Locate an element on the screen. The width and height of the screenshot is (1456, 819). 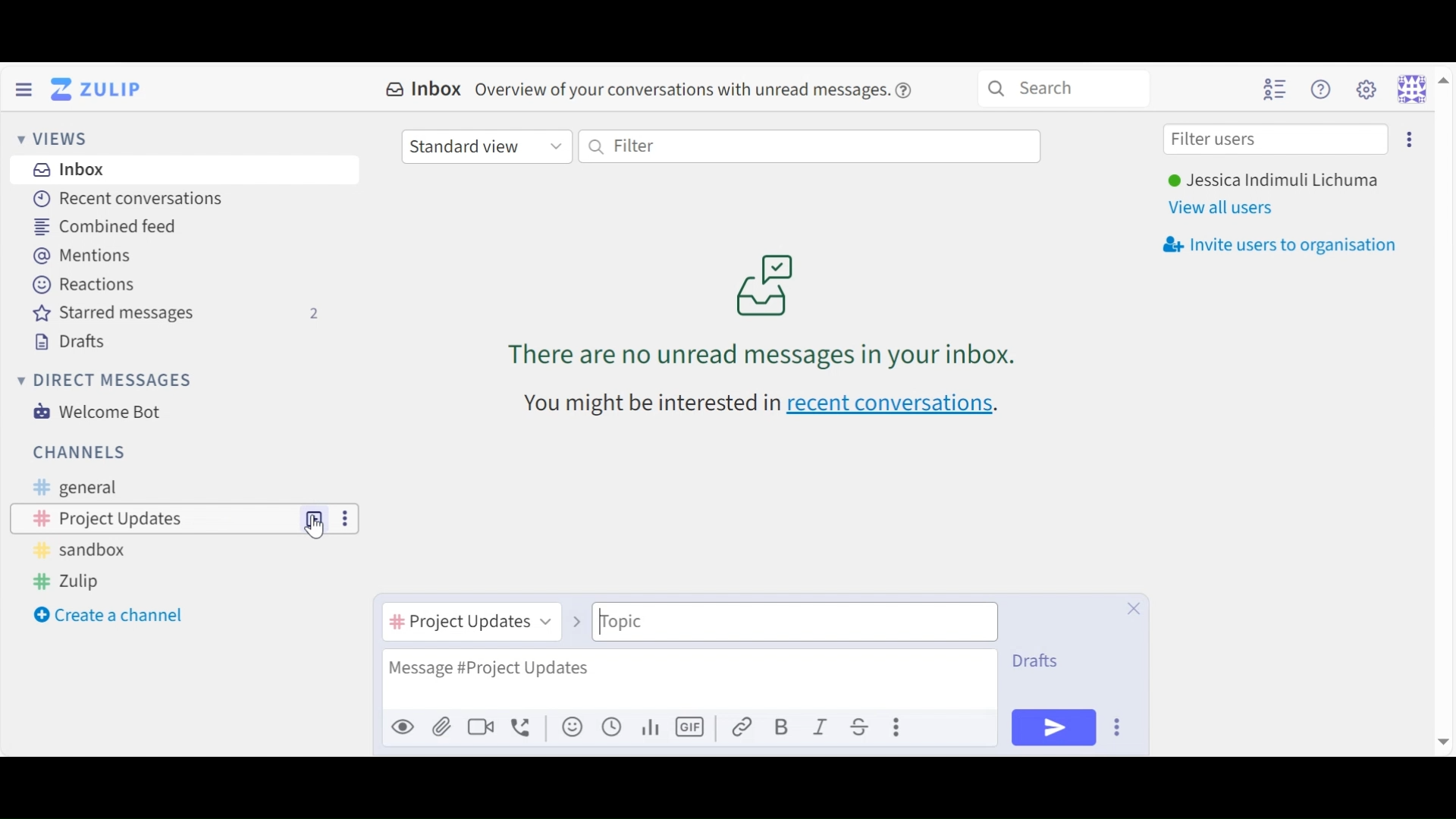
View all users is located at coordinates (1226, 207).